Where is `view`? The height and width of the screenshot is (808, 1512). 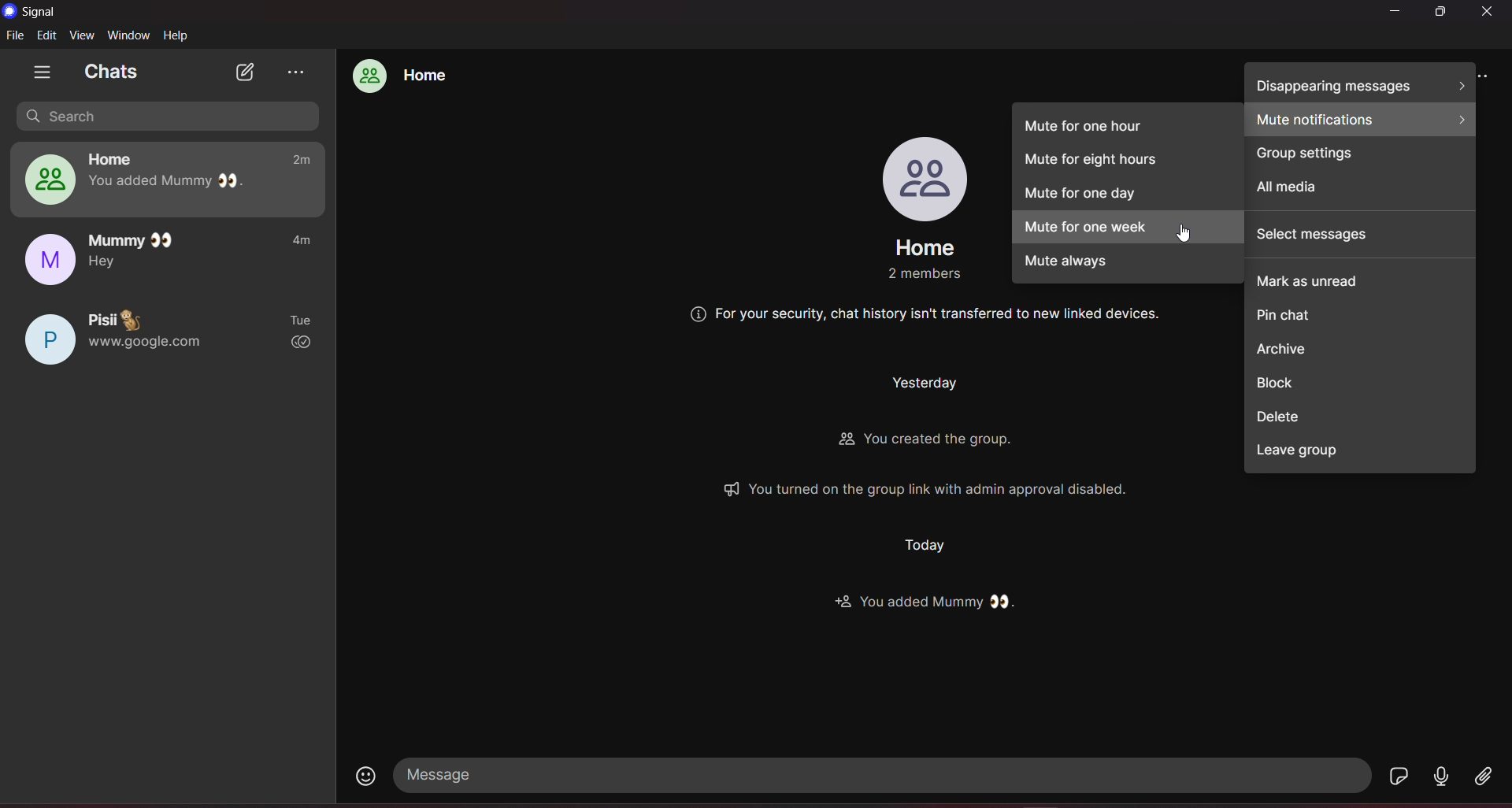
view is located at coordinates (82, 34).